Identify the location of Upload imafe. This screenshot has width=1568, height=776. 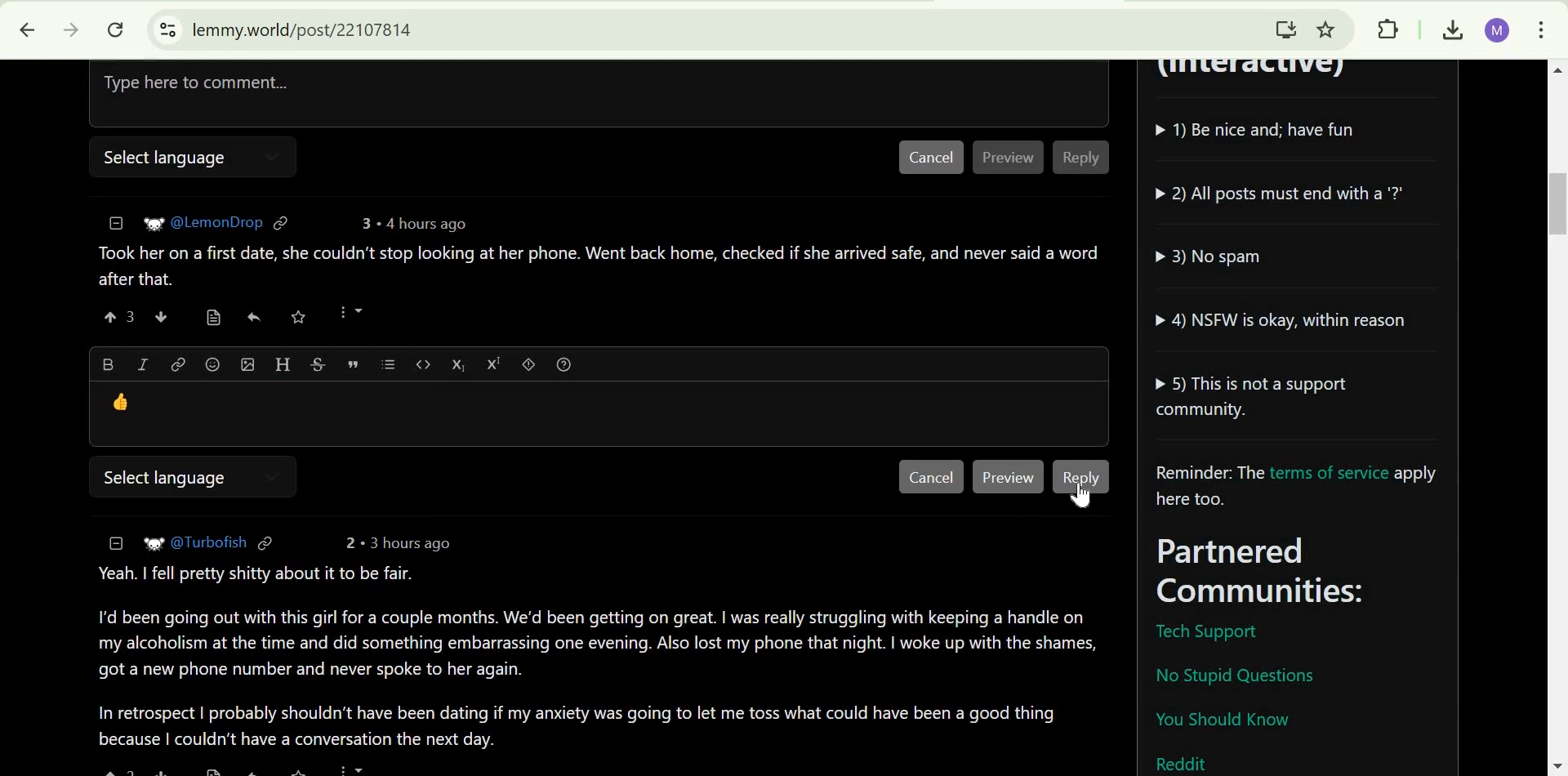
(248, 363).